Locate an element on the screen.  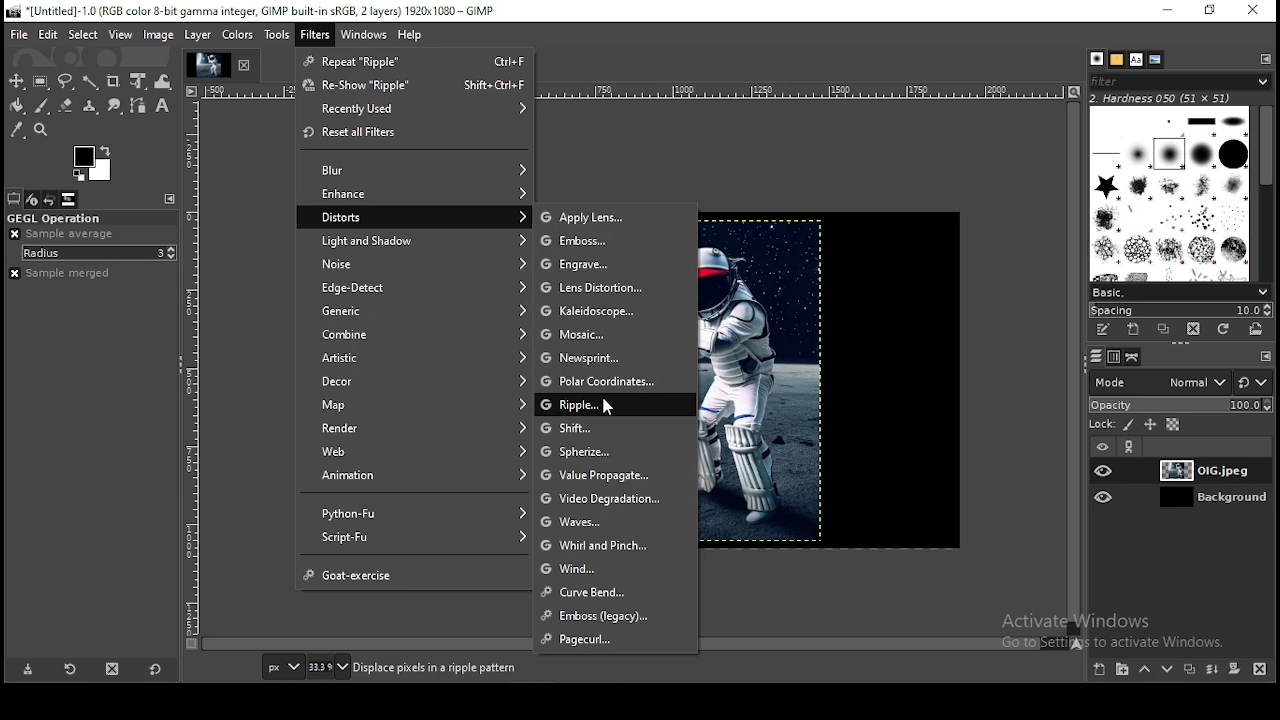
emboss (legacy) is located at coordinates (614, 615).